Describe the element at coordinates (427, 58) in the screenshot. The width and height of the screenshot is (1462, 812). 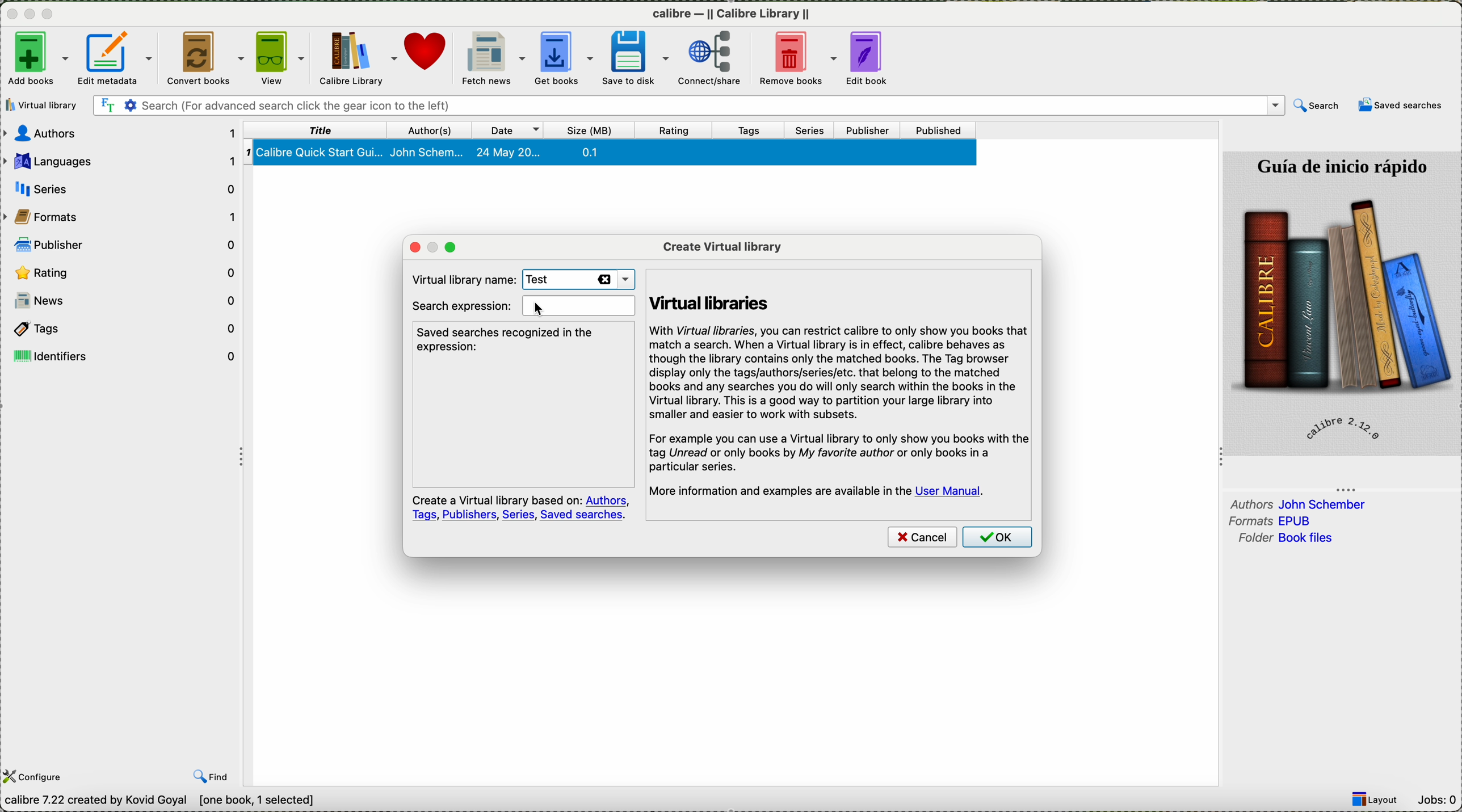
I see `donate` at that location.